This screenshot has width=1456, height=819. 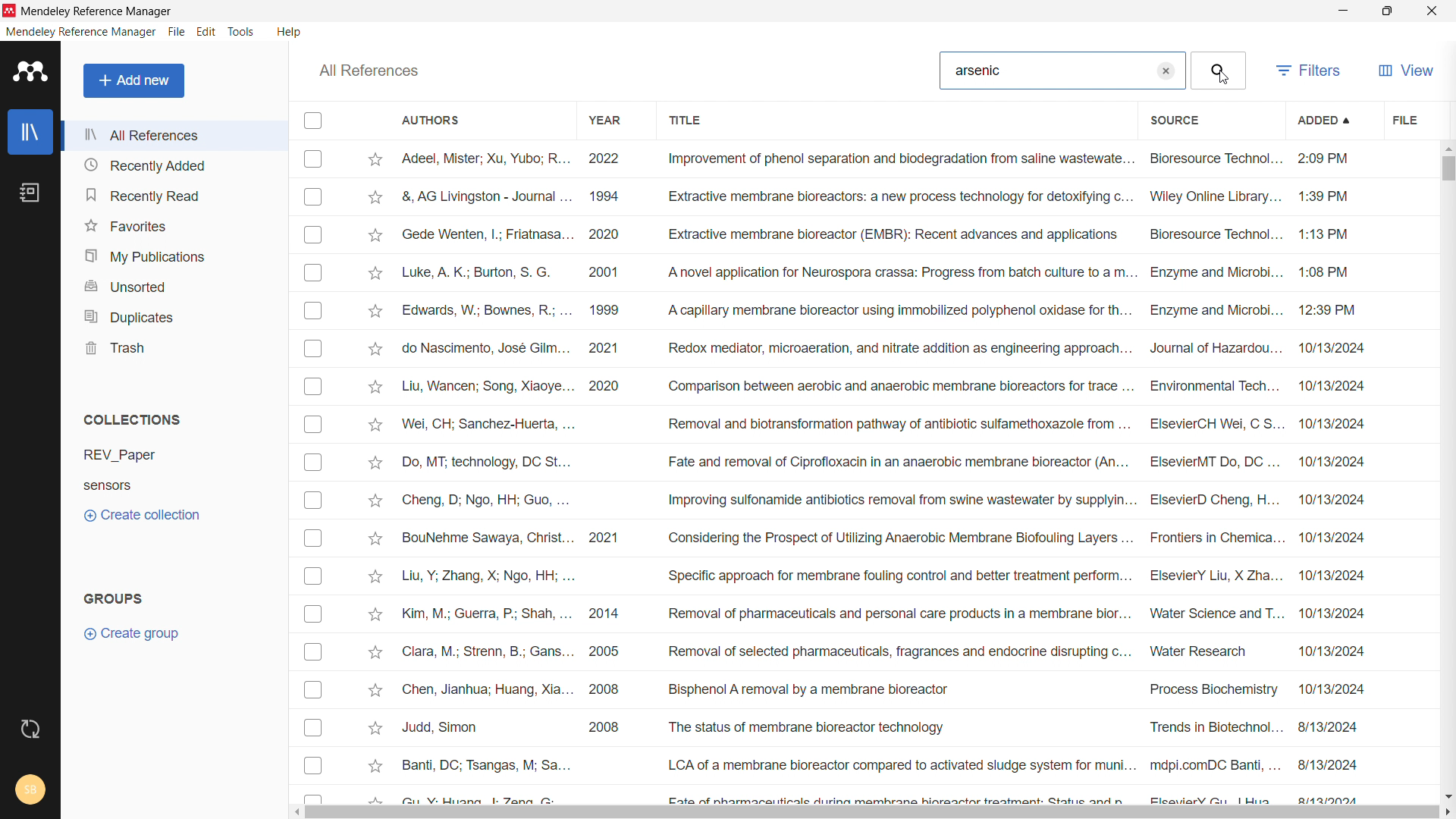 What do you see at coordinates (1420, 120) in the screenshot?
I see `file` at bounding box center [1420, 120].